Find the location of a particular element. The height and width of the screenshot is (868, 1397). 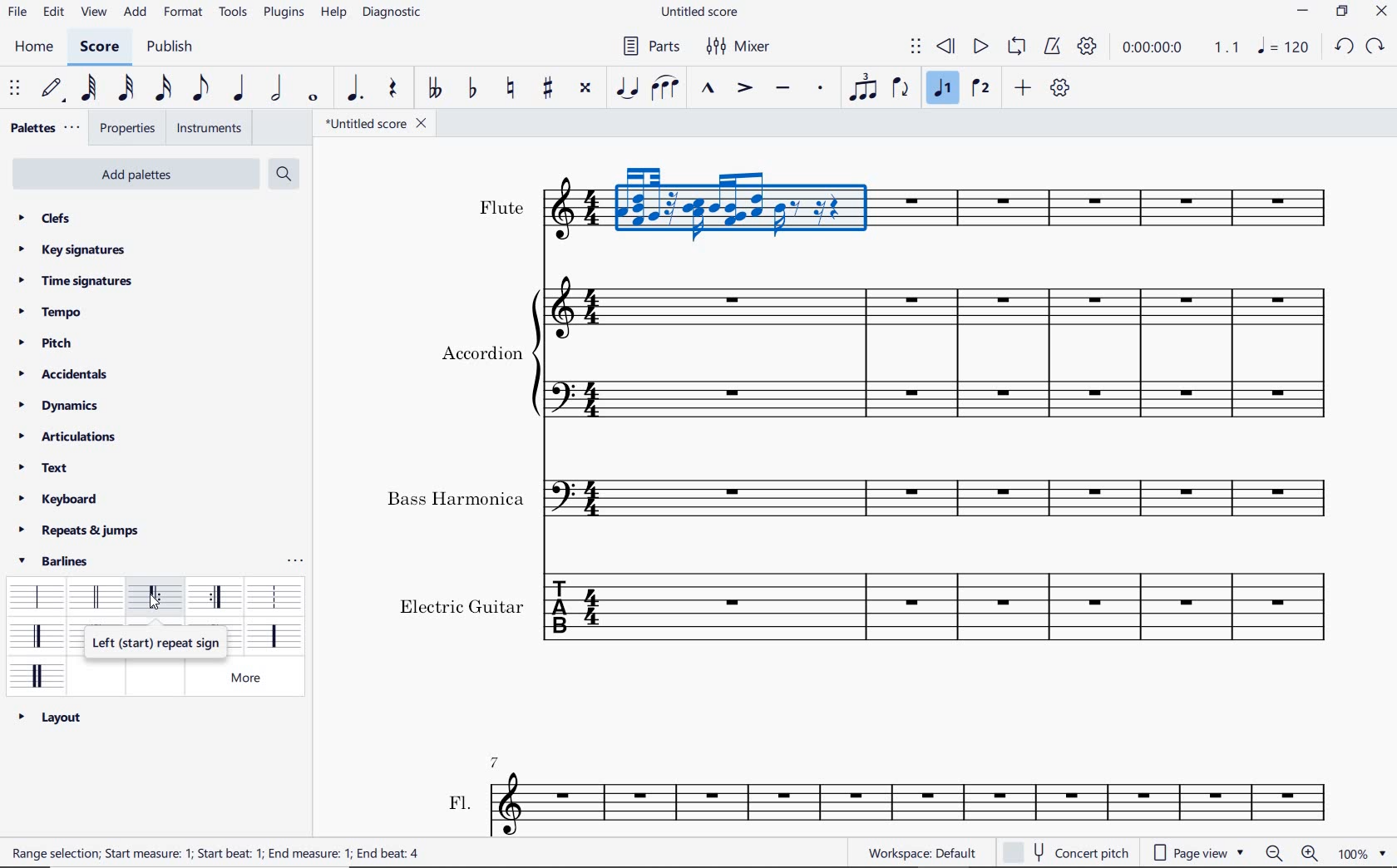

single barline is located at coordinates (34, 593).